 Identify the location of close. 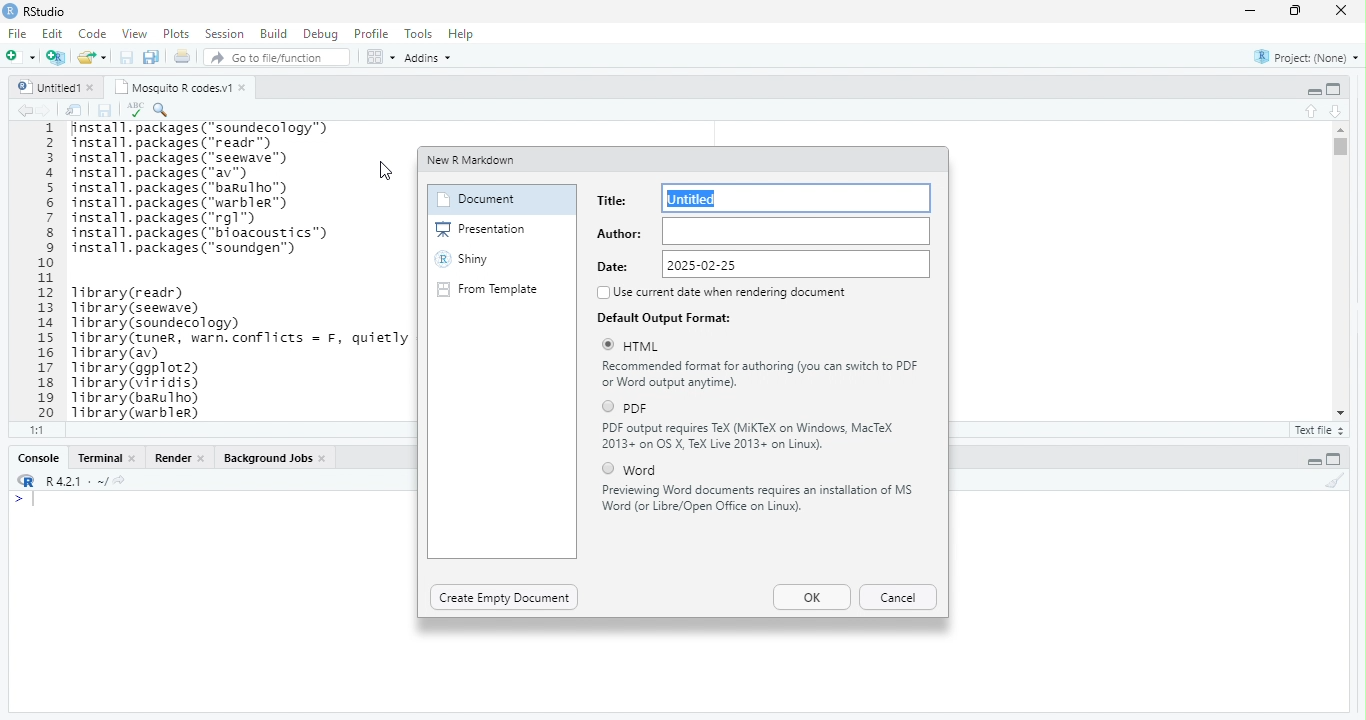
(1342, 10).